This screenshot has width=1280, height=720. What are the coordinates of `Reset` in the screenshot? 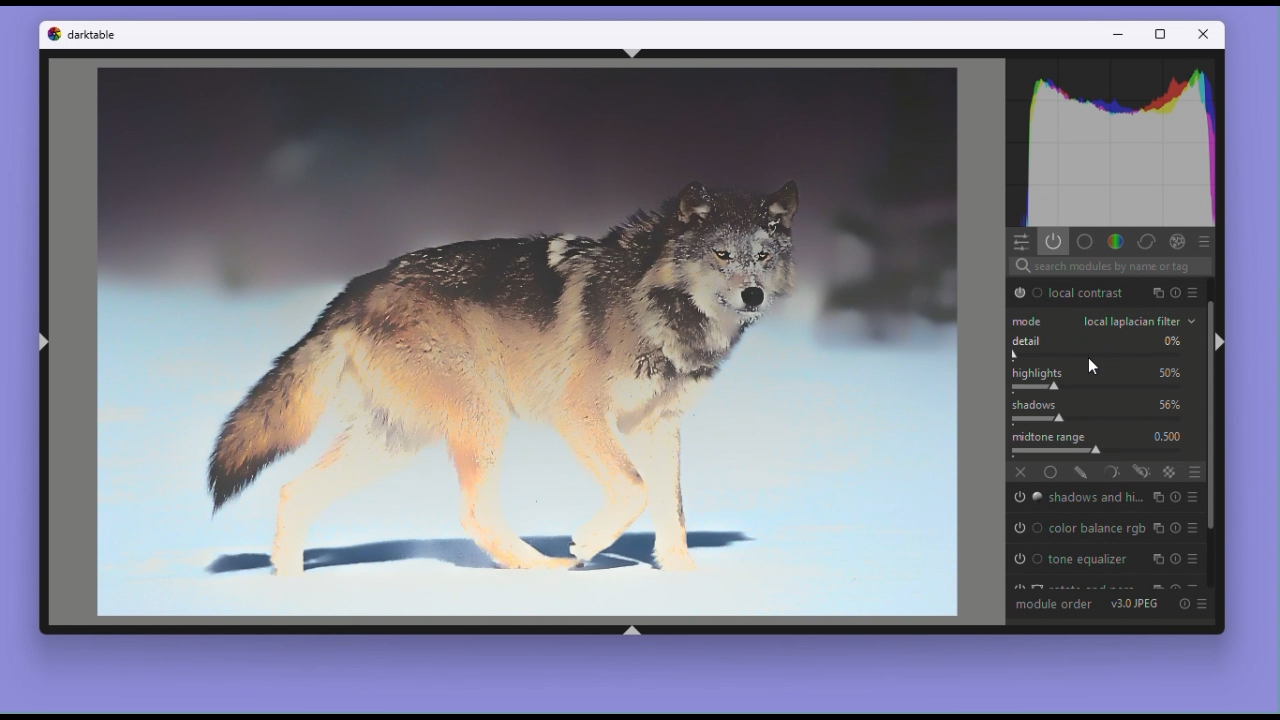 It's located at (1184, 603).